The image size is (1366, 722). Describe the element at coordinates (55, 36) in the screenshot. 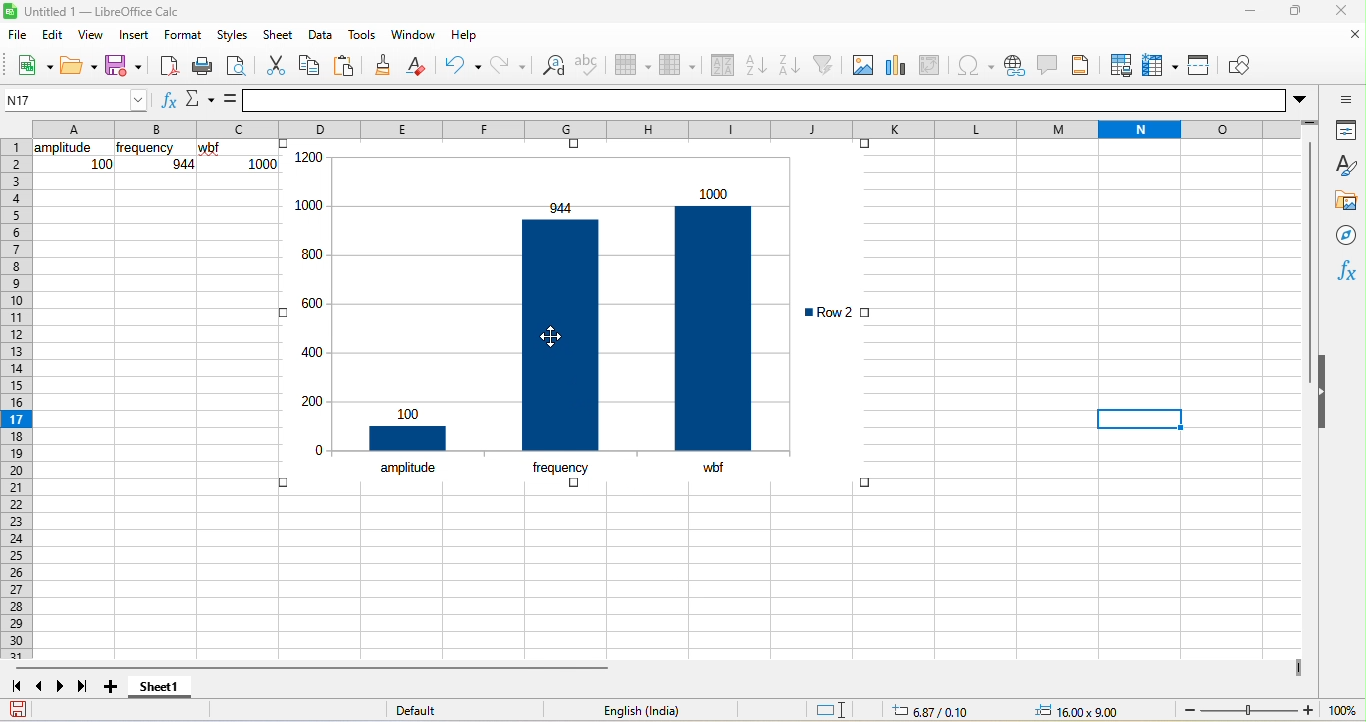

I see `edit` at that location.